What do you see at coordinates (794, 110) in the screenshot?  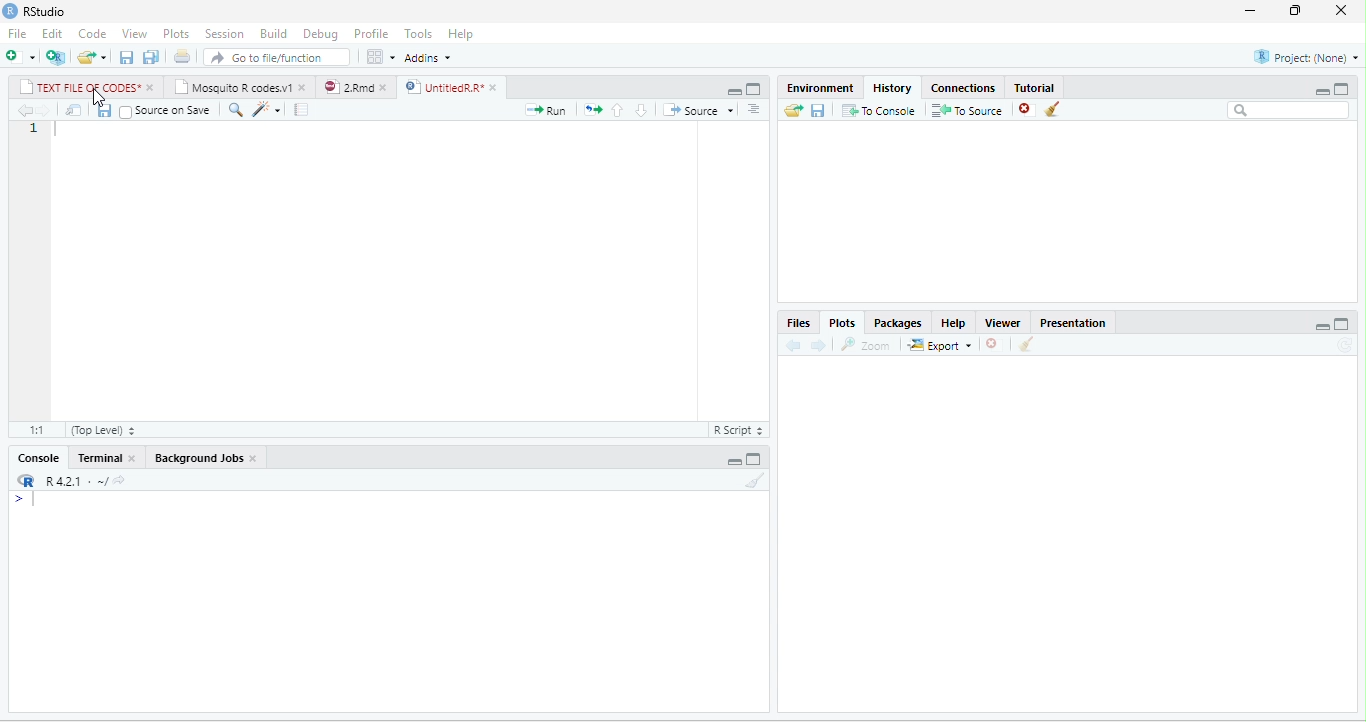 I see `open folder` at bounding box center [794, 110].